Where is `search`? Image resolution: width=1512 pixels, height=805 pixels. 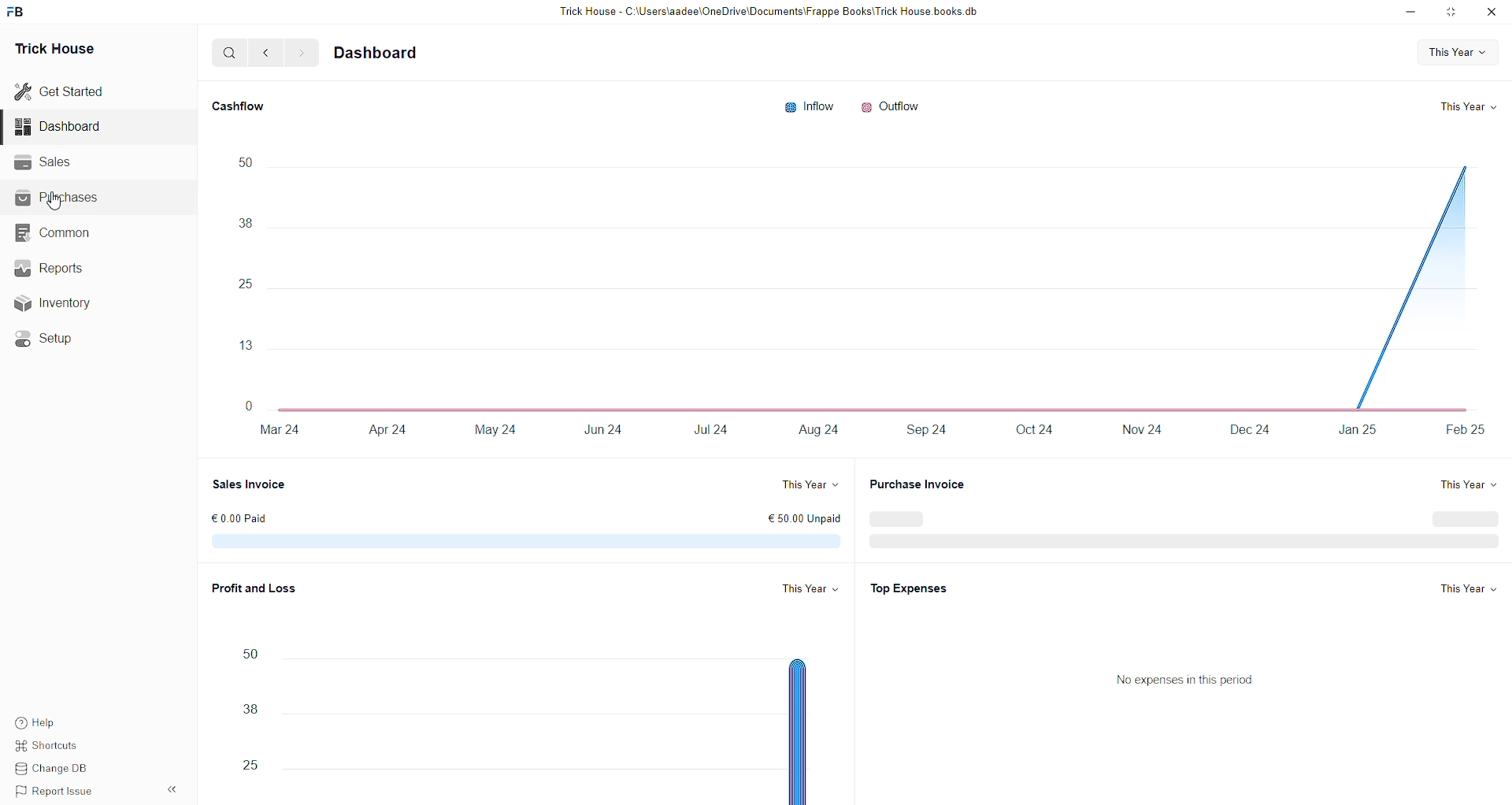 search is located at coordinates (228, 53).